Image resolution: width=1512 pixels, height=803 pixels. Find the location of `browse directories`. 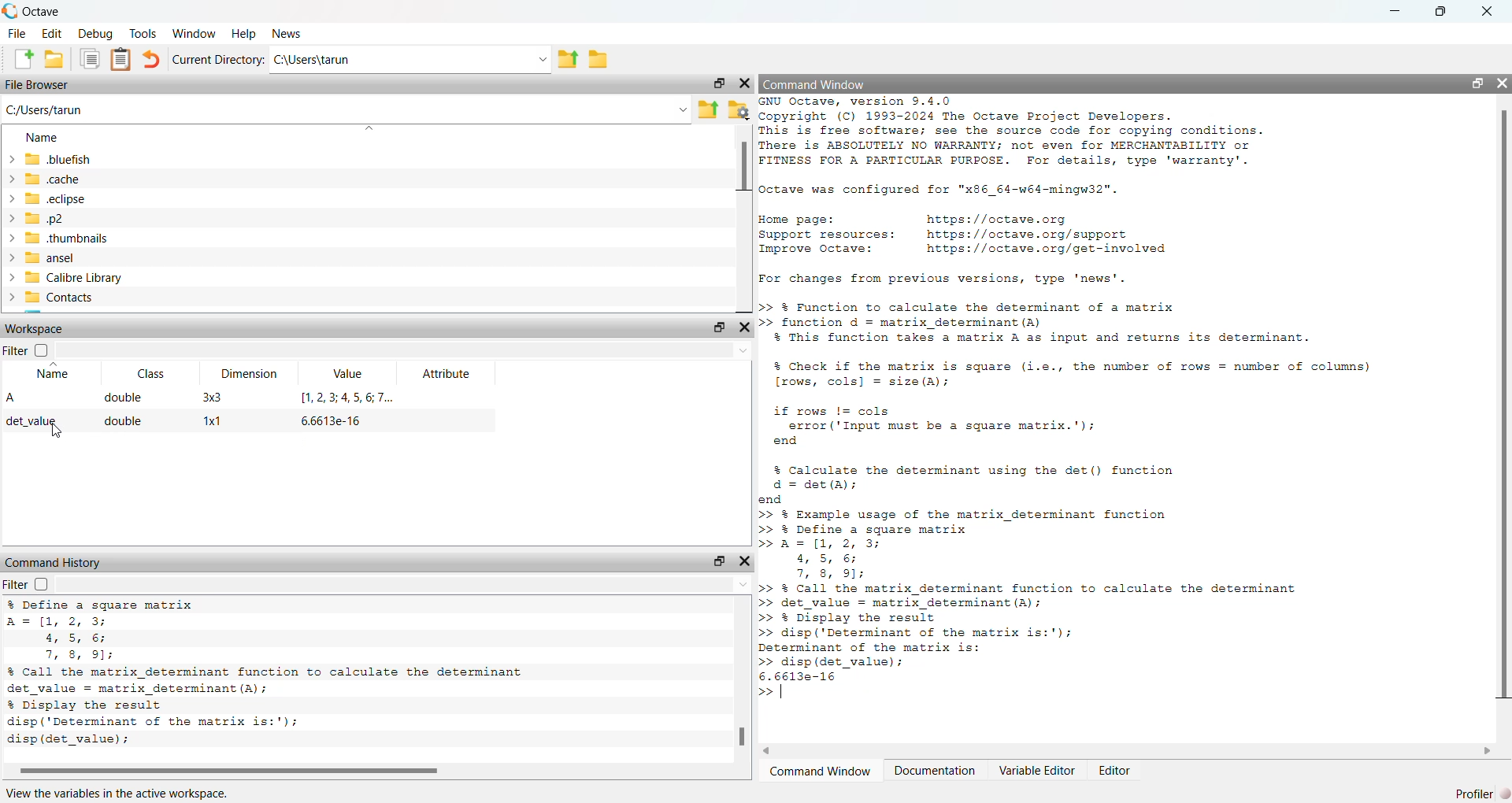

browse directories is located at coordinates (738, 111).